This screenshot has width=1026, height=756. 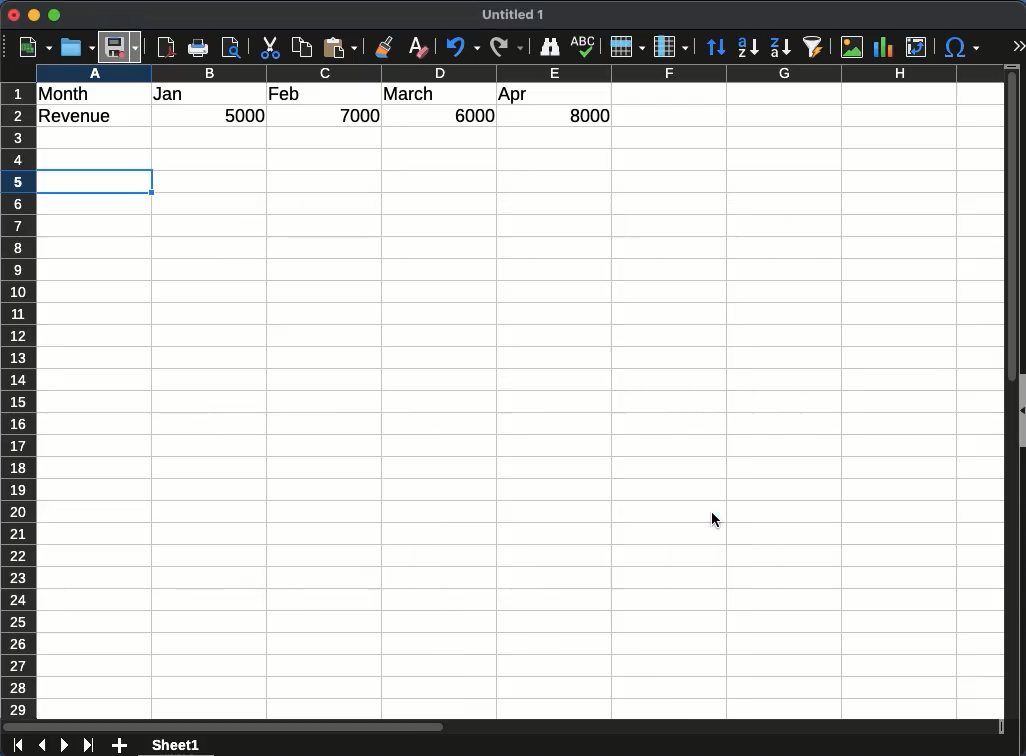 I want to click on last sheet, so click(x=88, y=746).